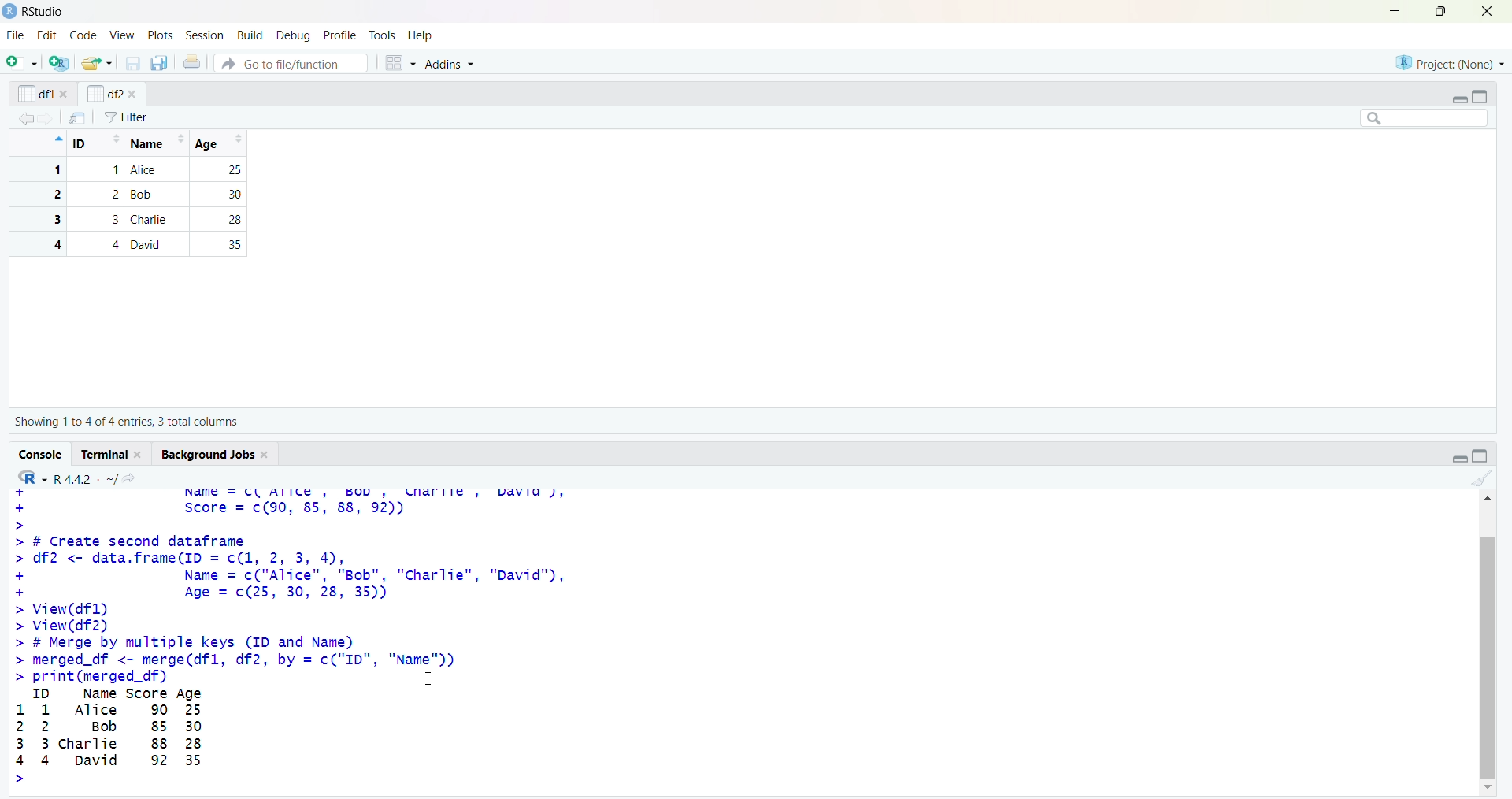  I want to click on logo, so click(11, 12).